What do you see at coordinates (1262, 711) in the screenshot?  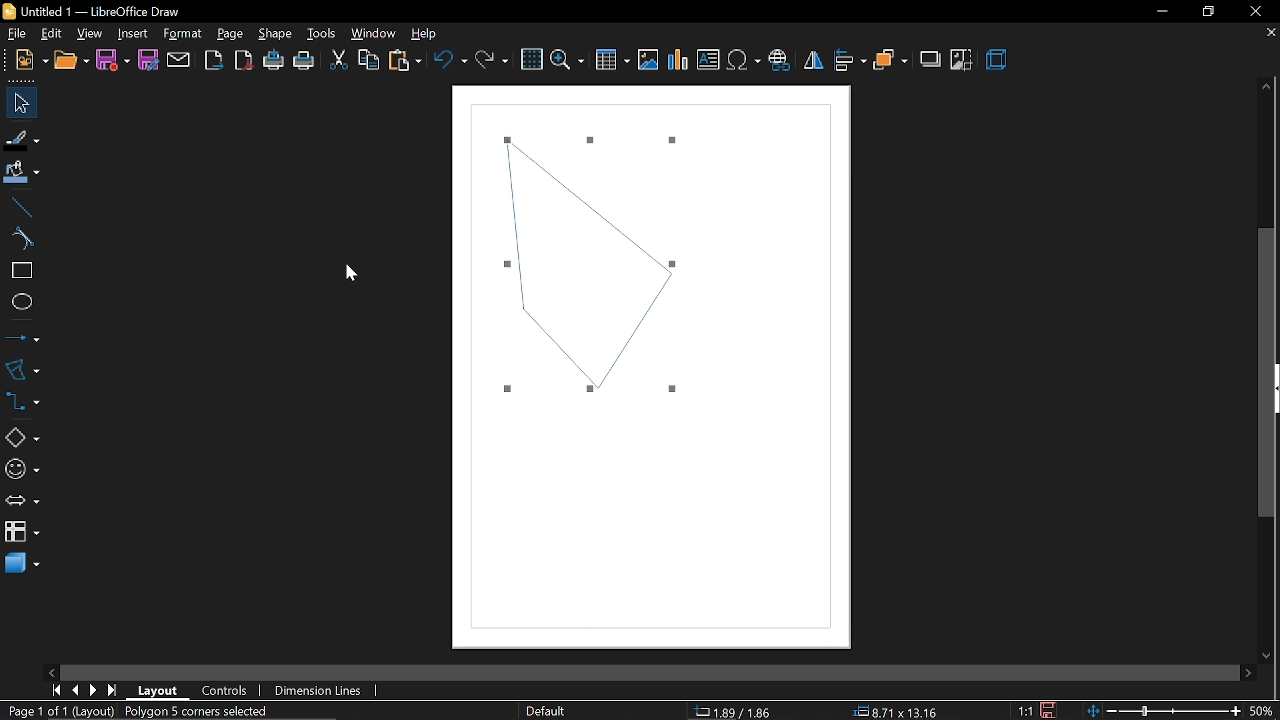 I see `current zoom` at bounding box center [1262, 711].